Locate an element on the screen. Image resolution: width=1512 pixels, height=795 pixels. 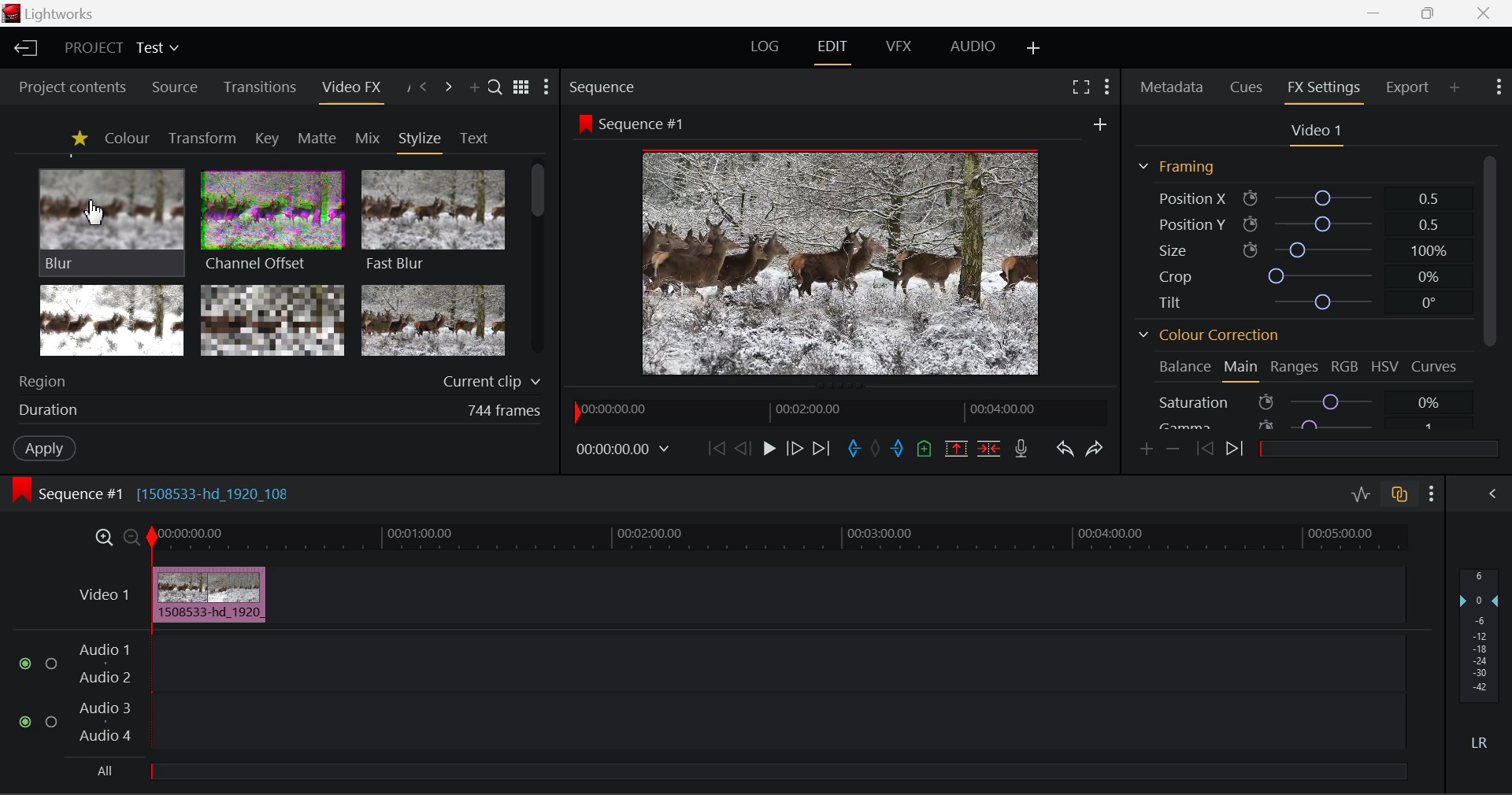
Matte is located at coordinates (317, 138).